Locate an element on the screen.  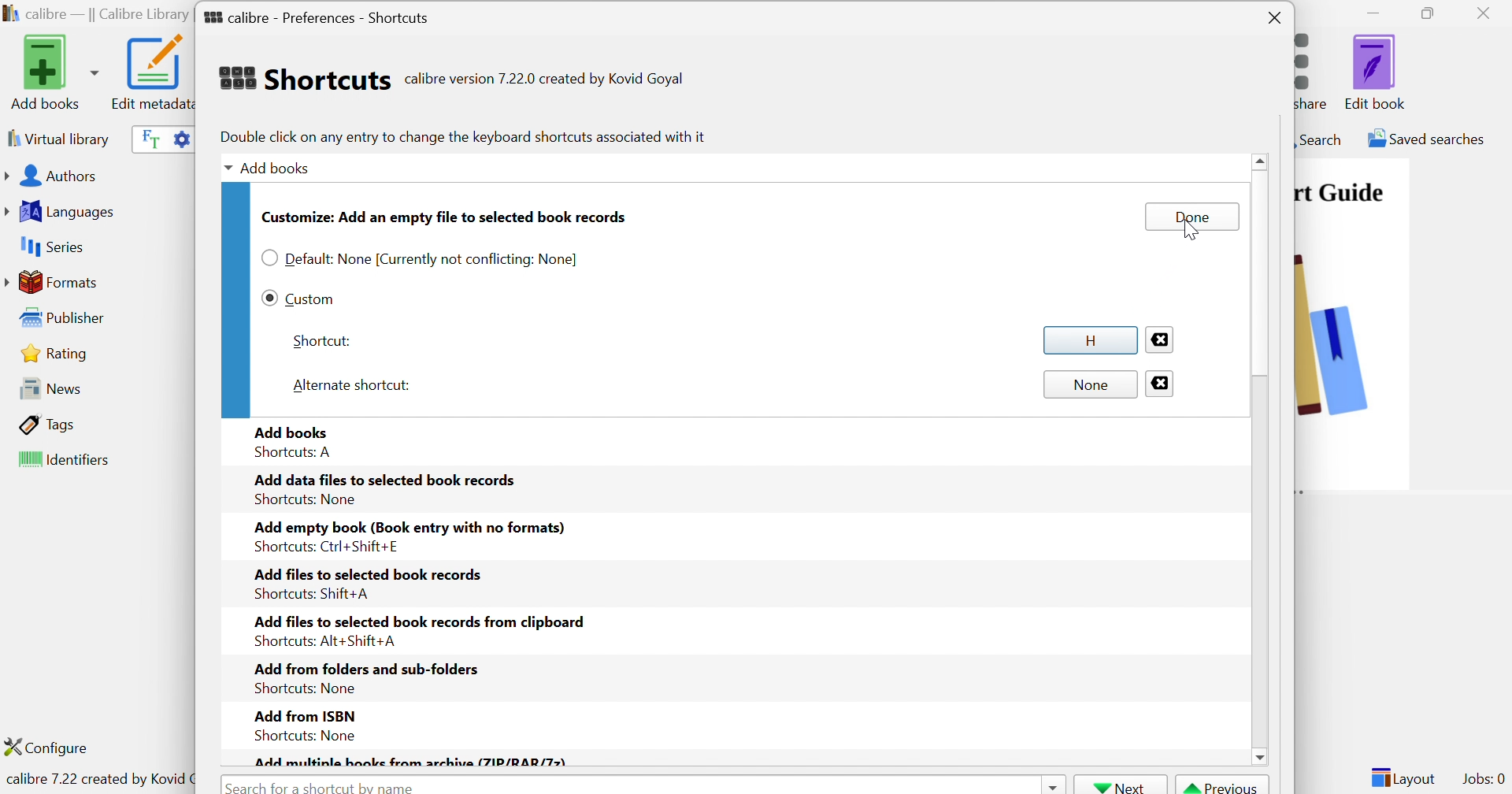
Alternate shortcut is located at coordinates (354, 384).